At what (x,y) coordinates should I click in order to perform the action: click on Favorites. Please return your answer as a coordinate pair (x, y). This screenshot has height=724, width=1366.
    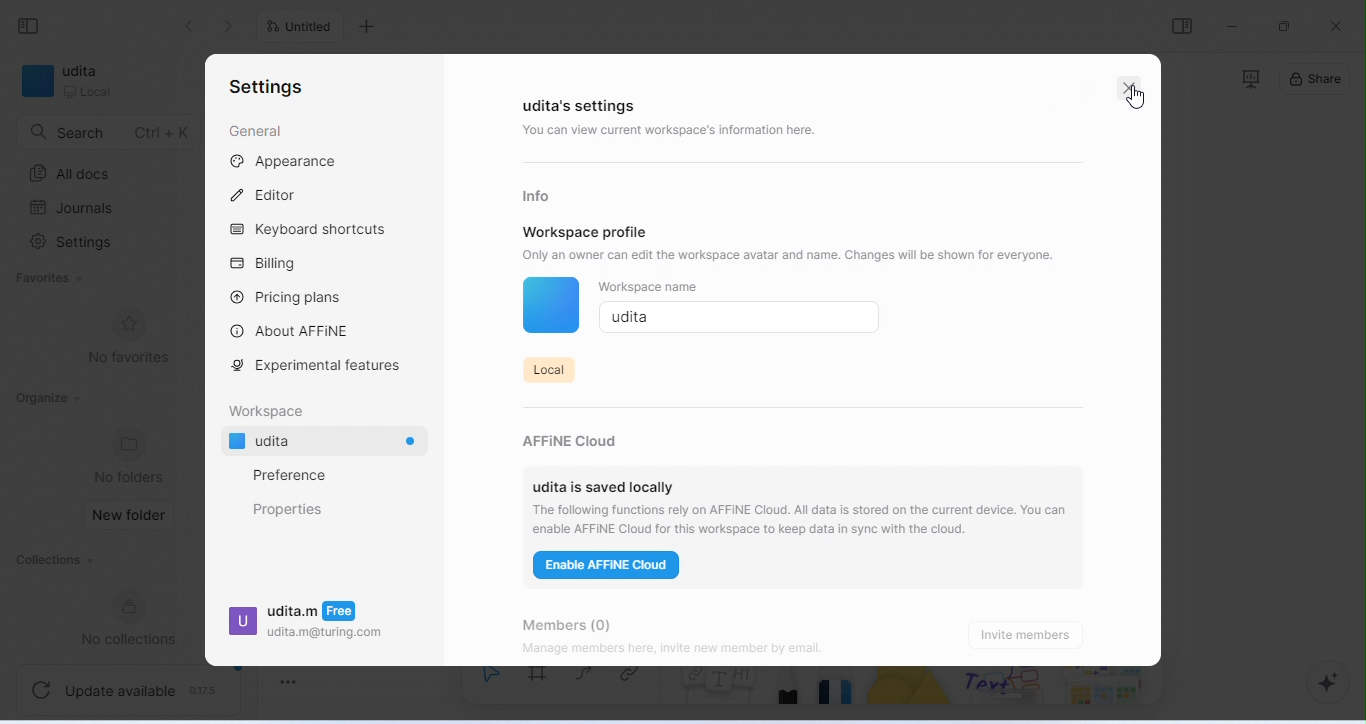
    Looking at the image, I should click on (48, 279).